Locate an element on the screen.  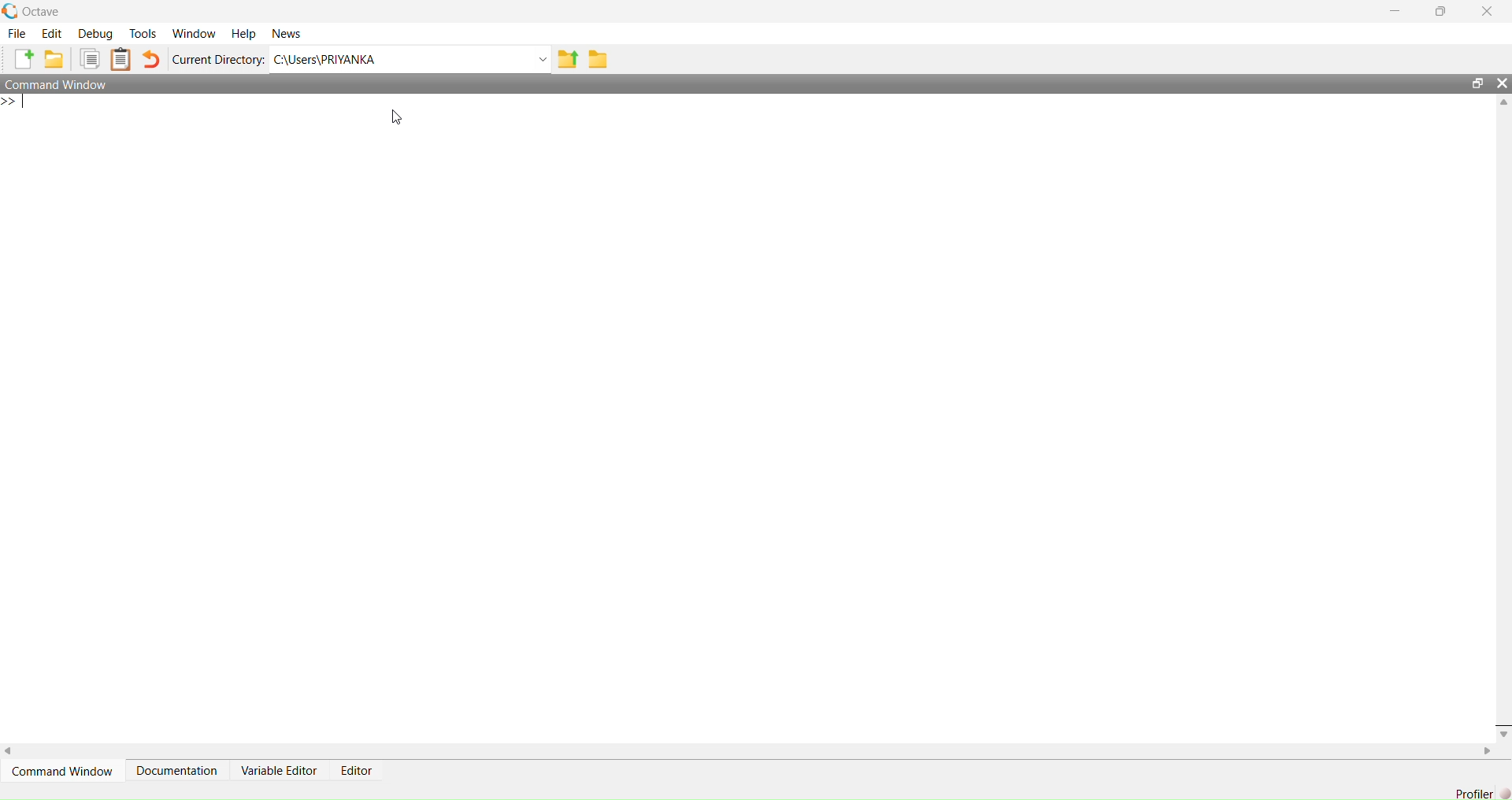
Debug is located at coordinates (96, 35).